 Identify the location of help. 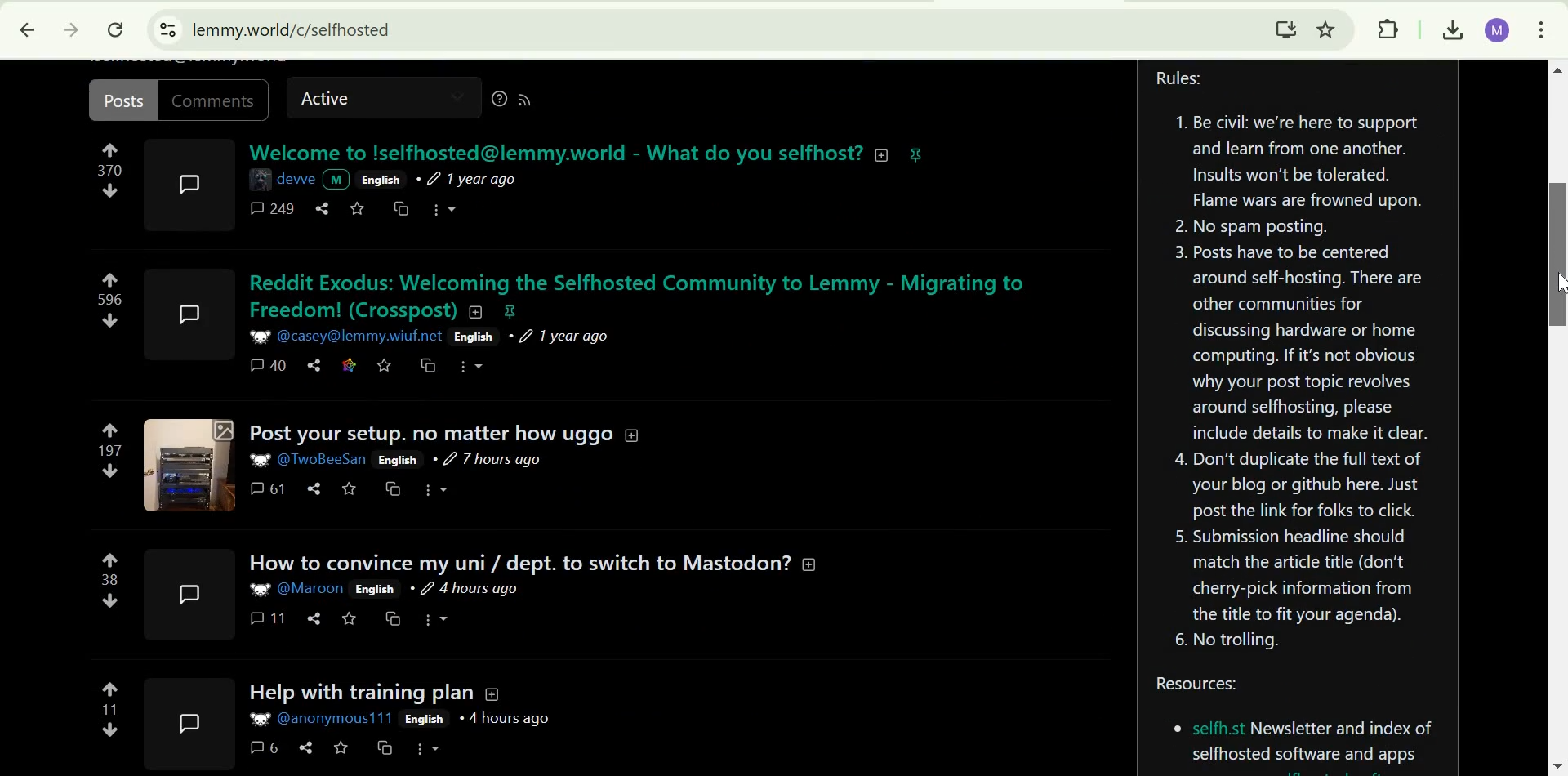
(494, 101).